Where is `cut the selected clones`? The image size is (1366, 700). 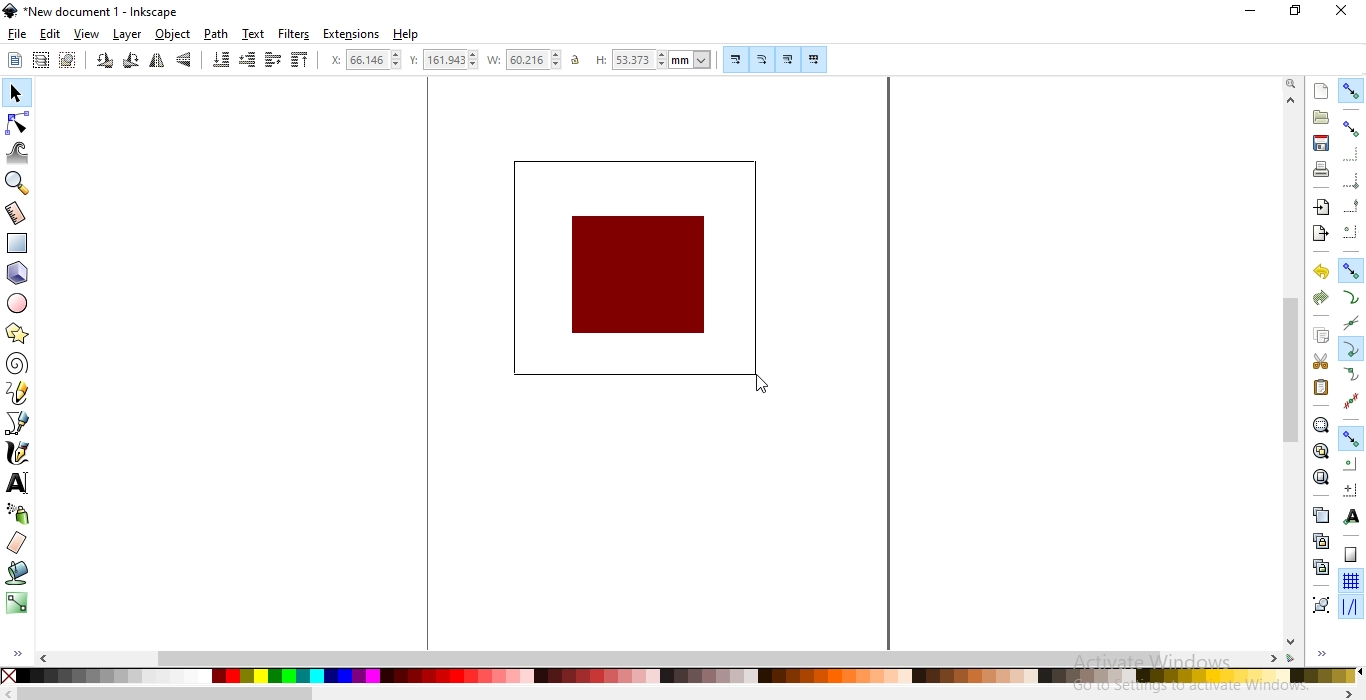 cut the selected clones is located at coordinates (1321, 566).